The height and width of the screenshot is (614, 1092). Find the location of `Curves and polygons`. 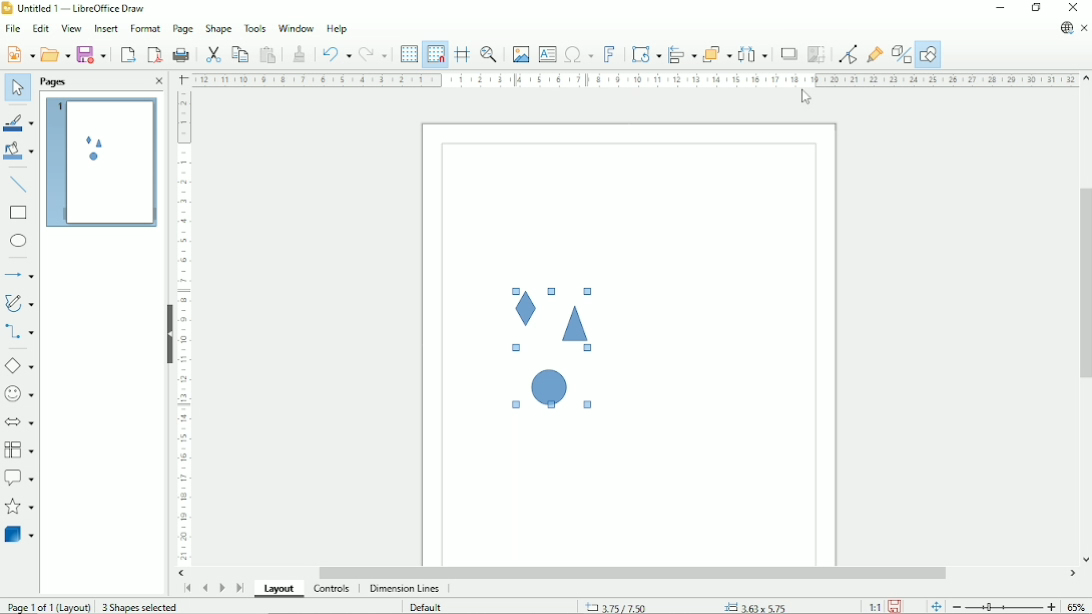

Curves and polygons is located at coordinates (19, 303).